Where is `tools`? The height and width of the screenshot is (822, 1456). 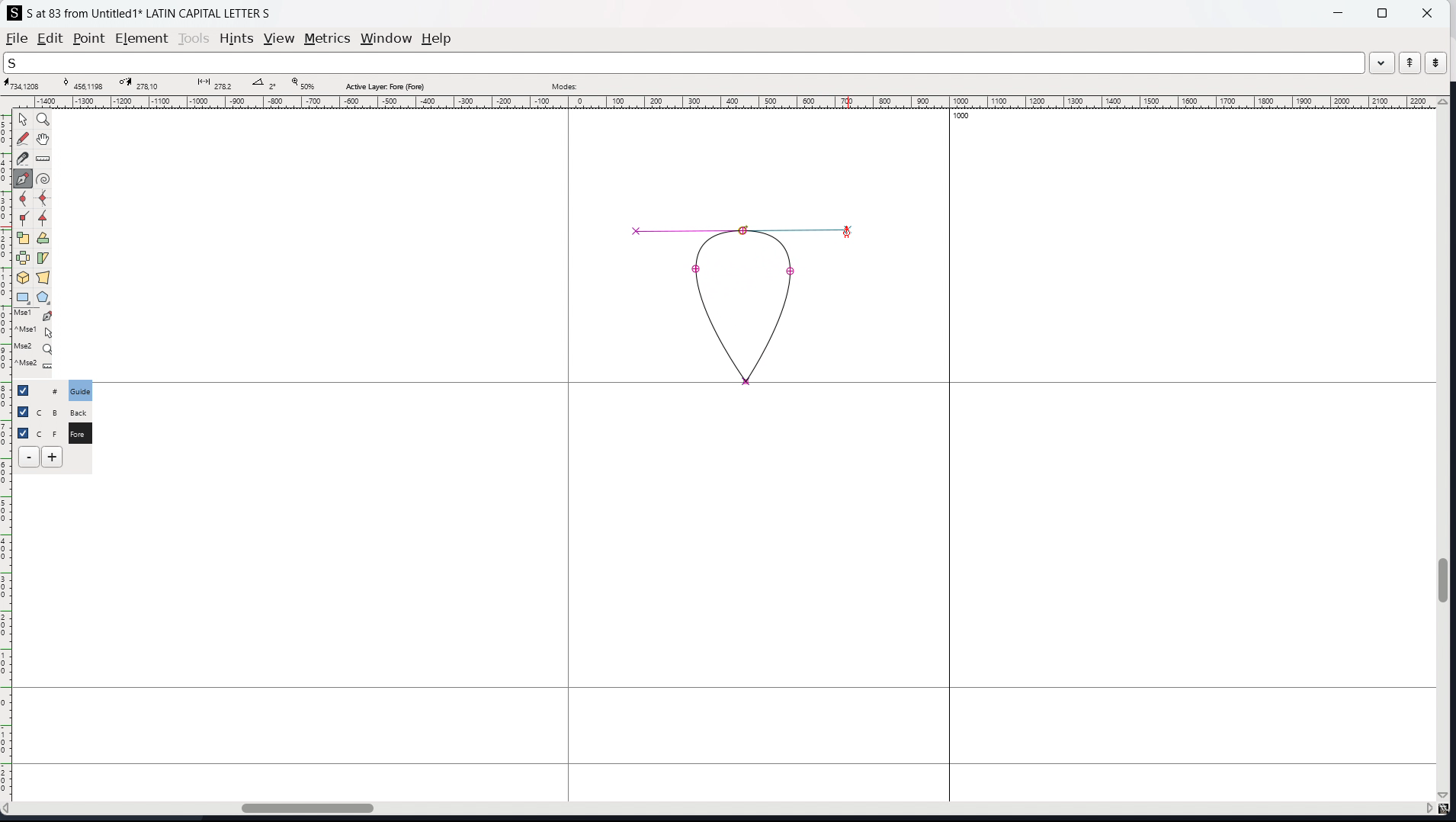 tools is located at coordinates (195, 38).